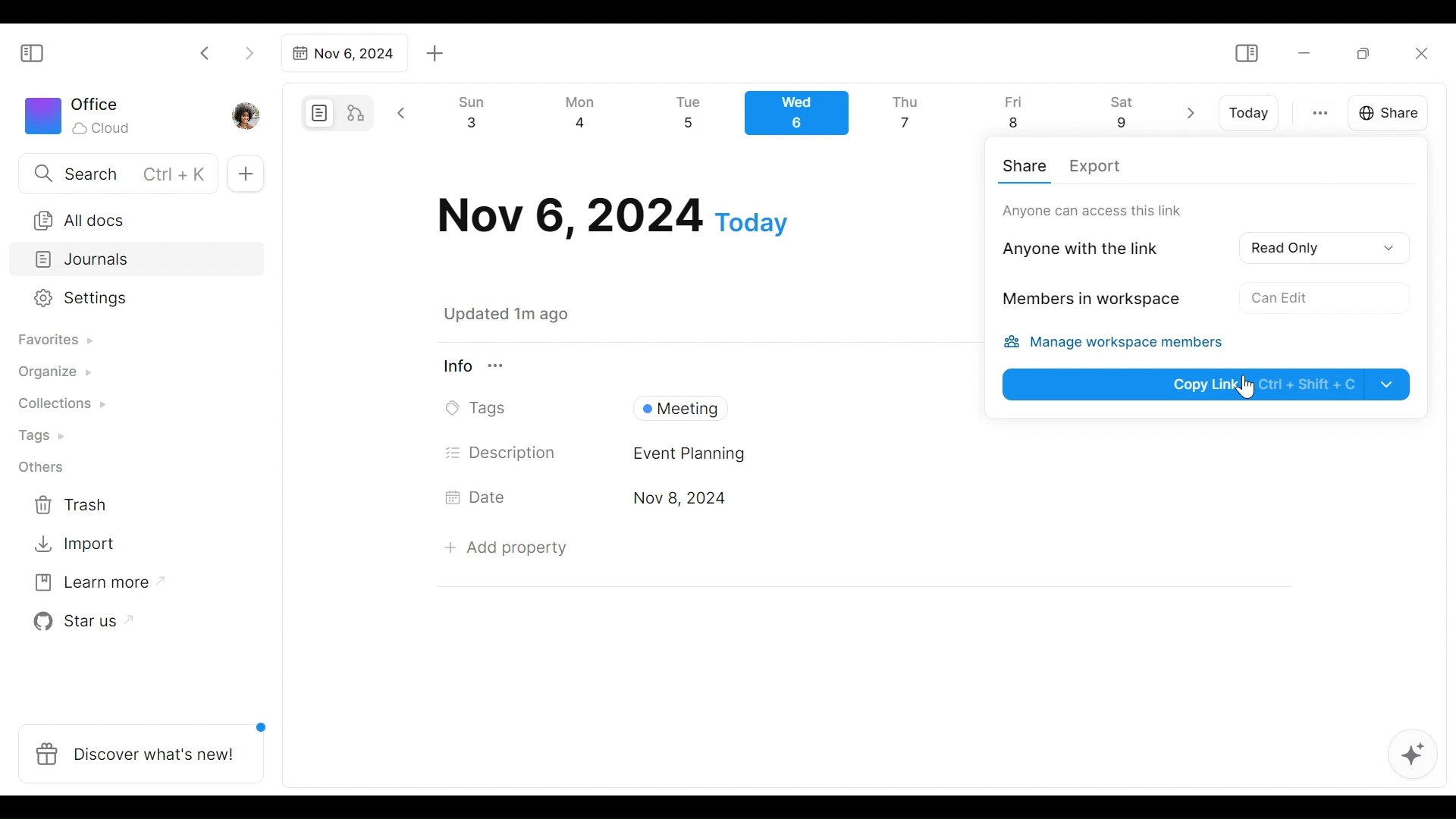 The height and width of the screenshot is (819, 1456). Describe the element at coordinates (42, 467) in the screenshot. I see `Others` at that location.